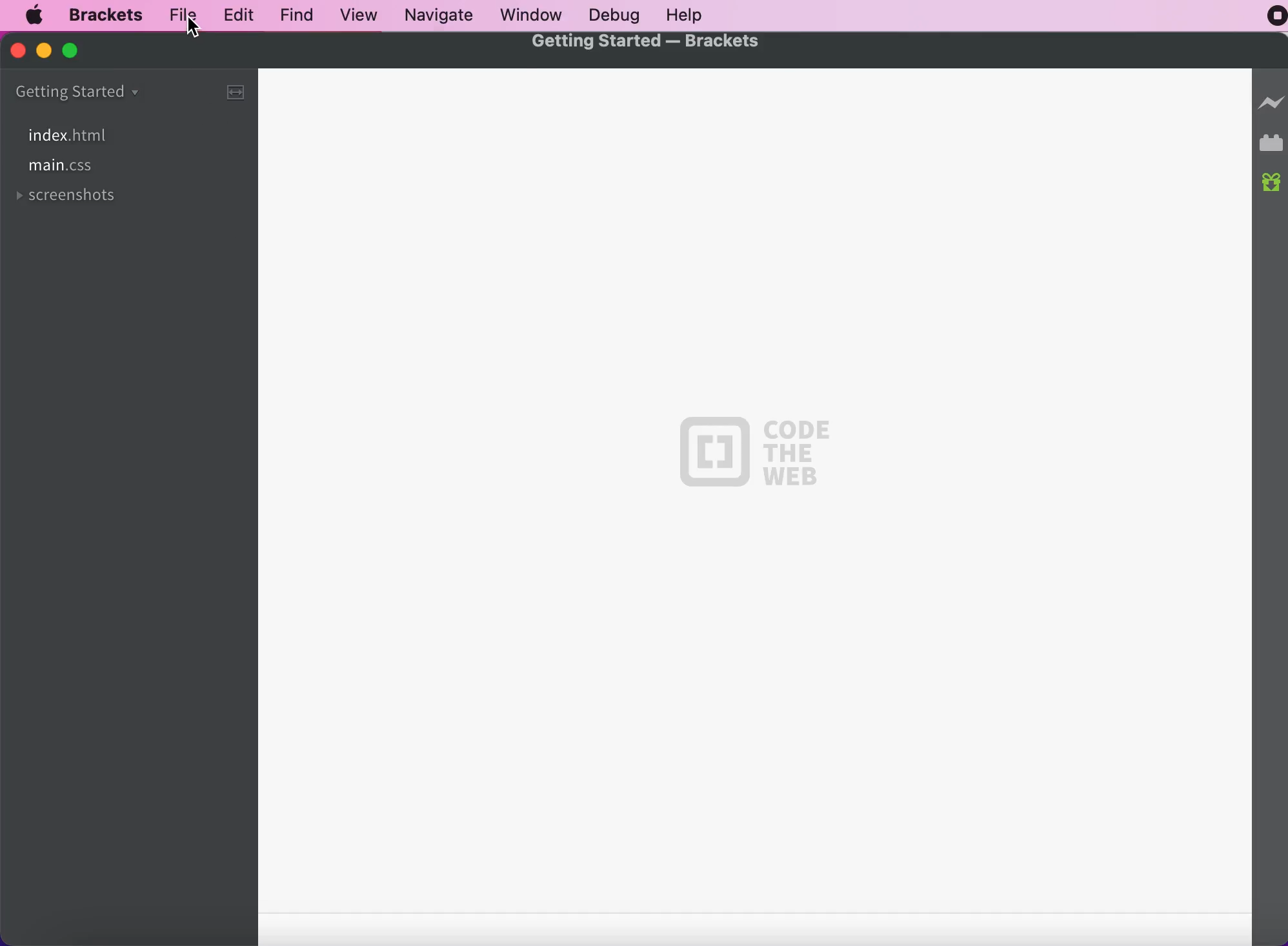  Describe the element at coordinates (1268, 20) in the screenshot. I see `recording stopped` at that location.